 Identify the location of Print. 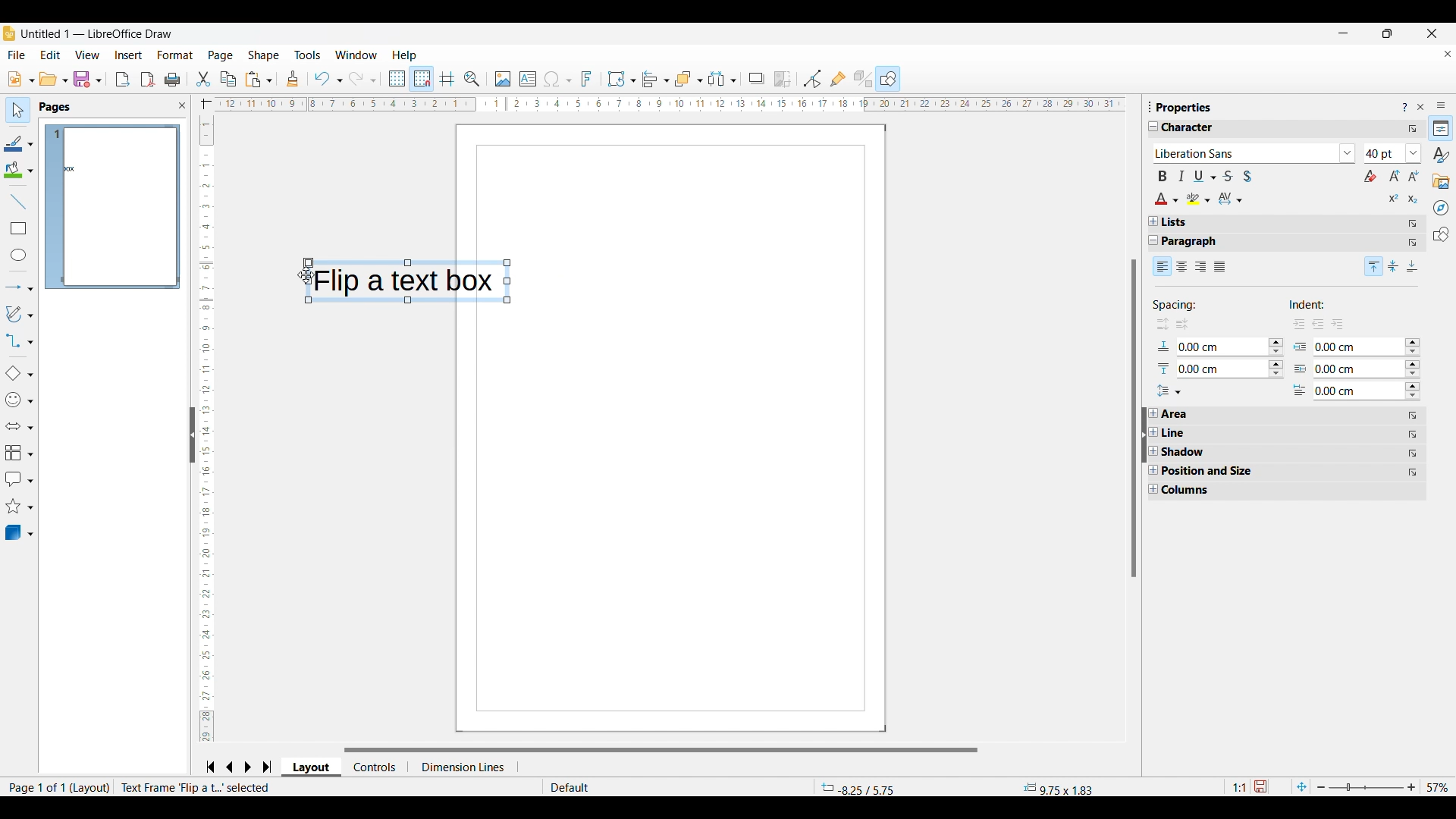
(173, 80).